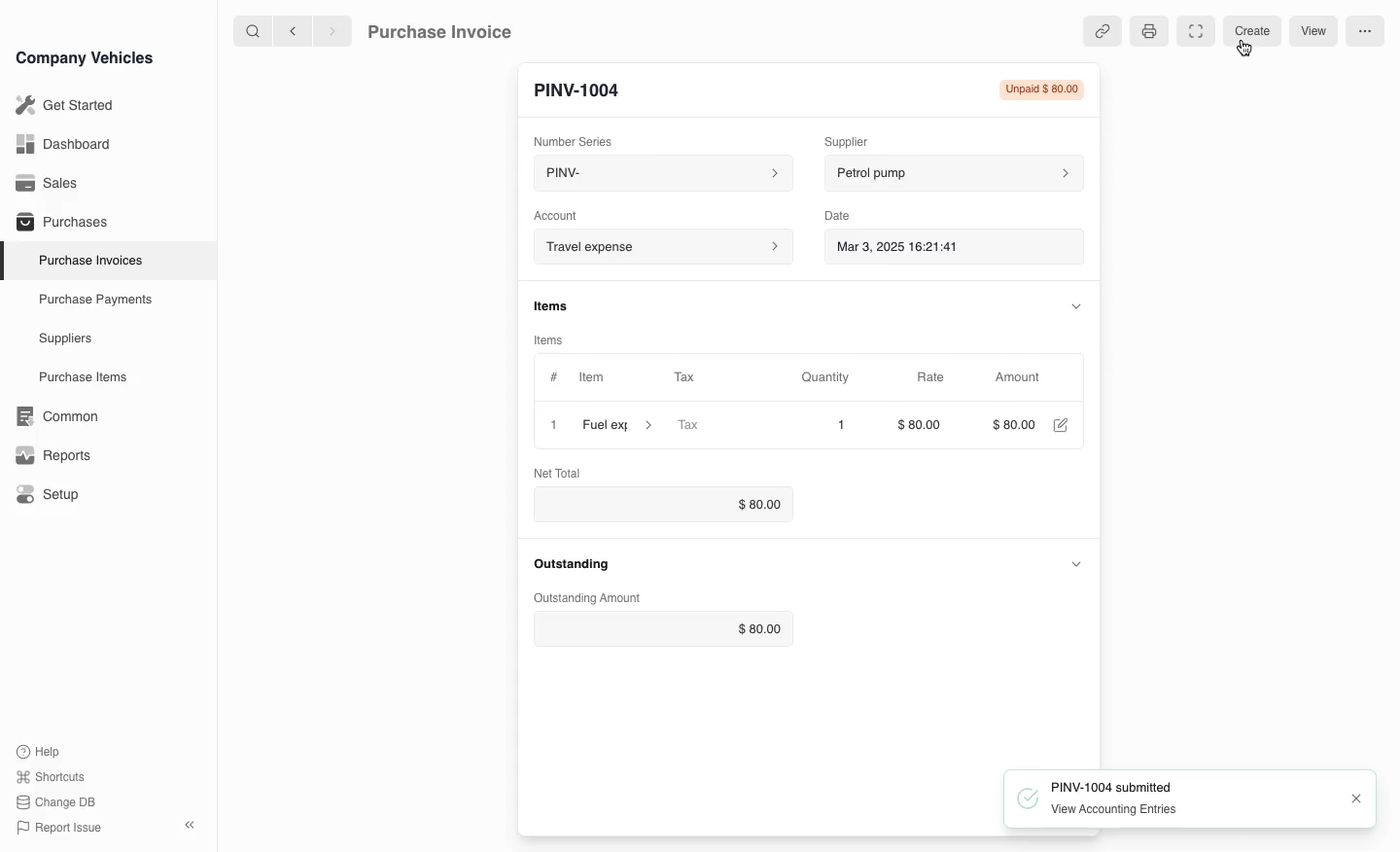 This screenshot has width=1400, height=852. Describe the element at coordinates (1067, 248) in the screenshot. I see `calender` at that location.